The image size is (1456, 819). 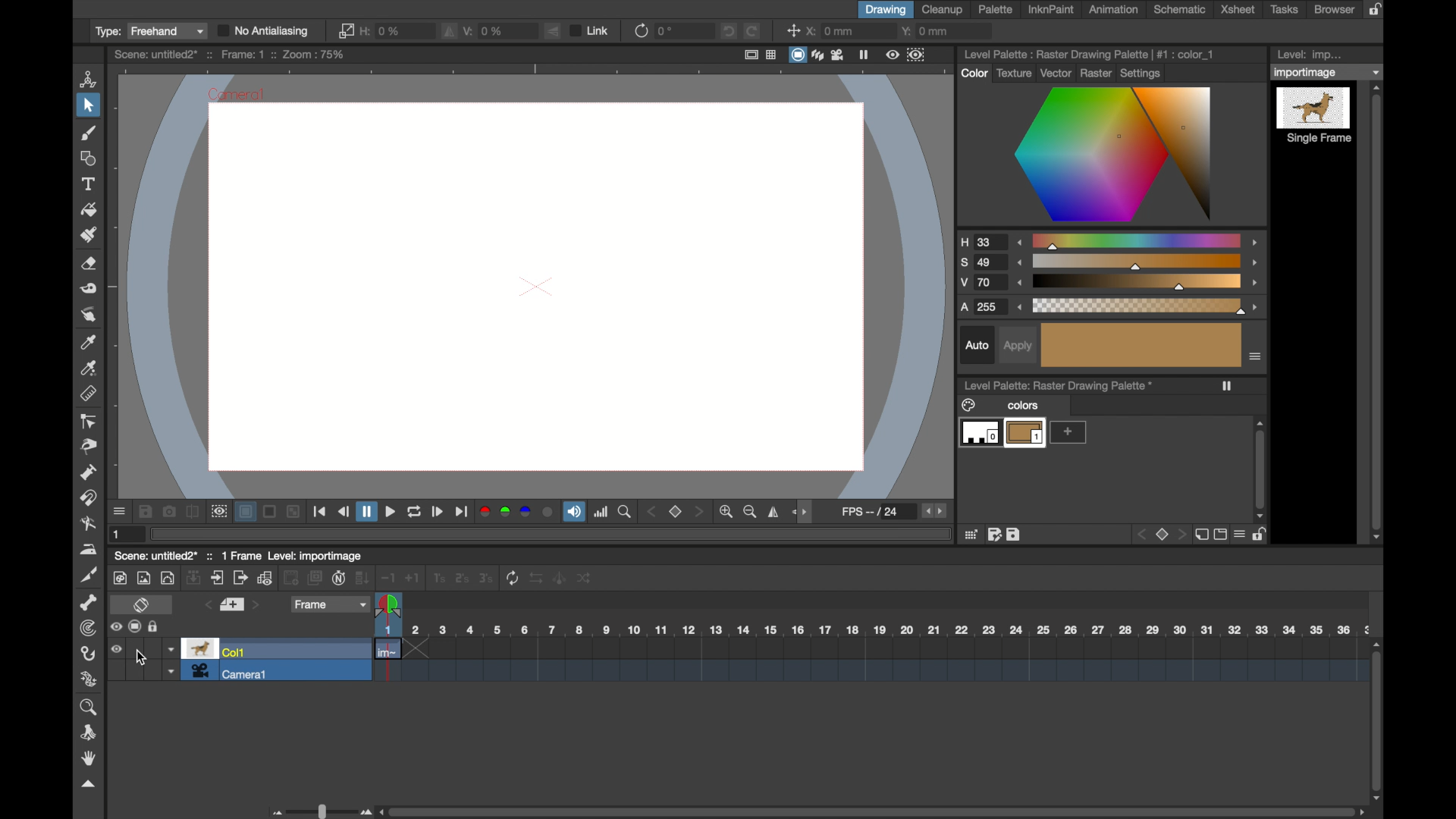 I want to click on y, so click(x=928, y=30).